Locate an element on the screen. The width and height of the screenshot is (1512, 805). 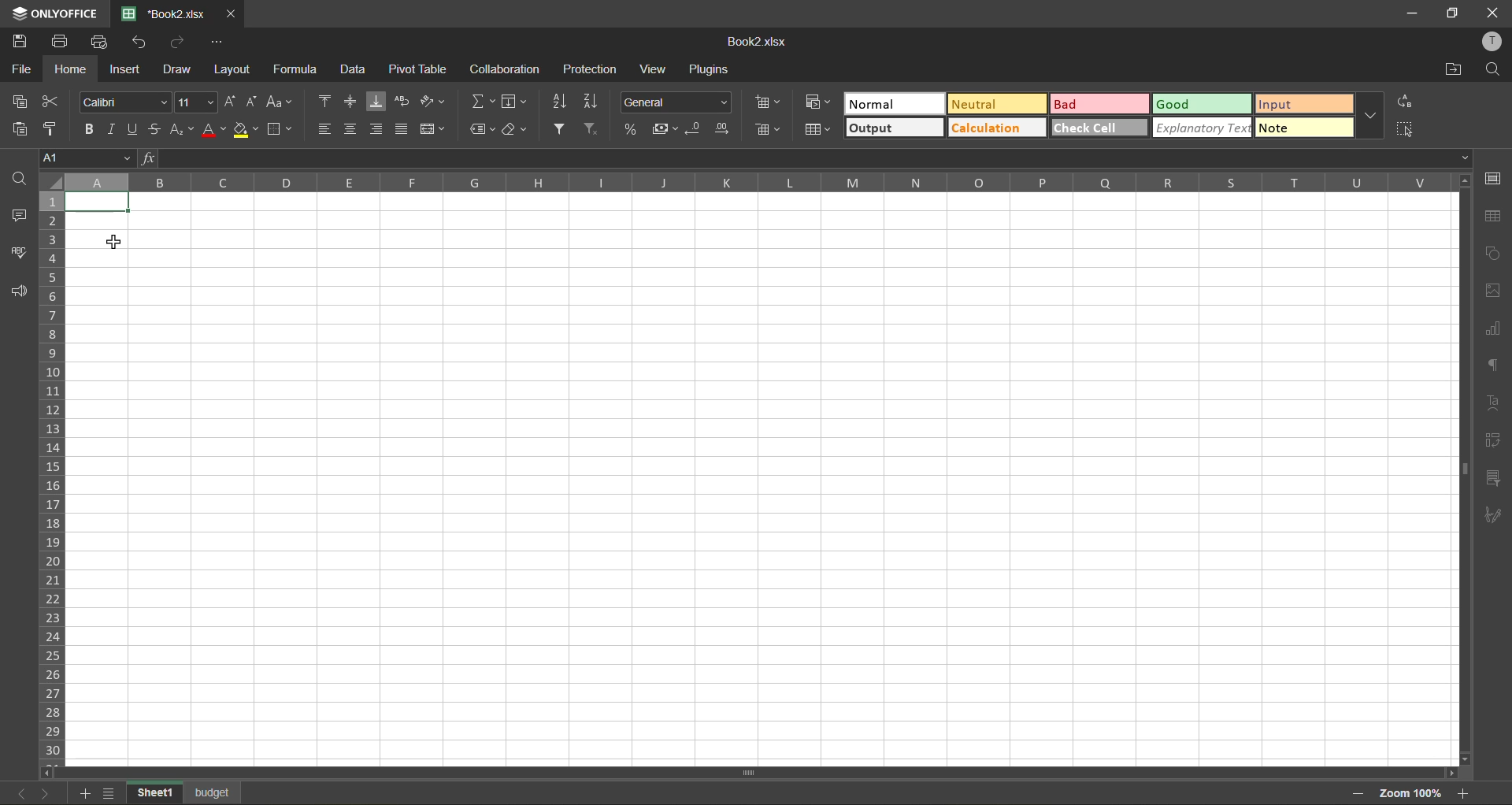
spellcheck is located at coordinates (20, 256).